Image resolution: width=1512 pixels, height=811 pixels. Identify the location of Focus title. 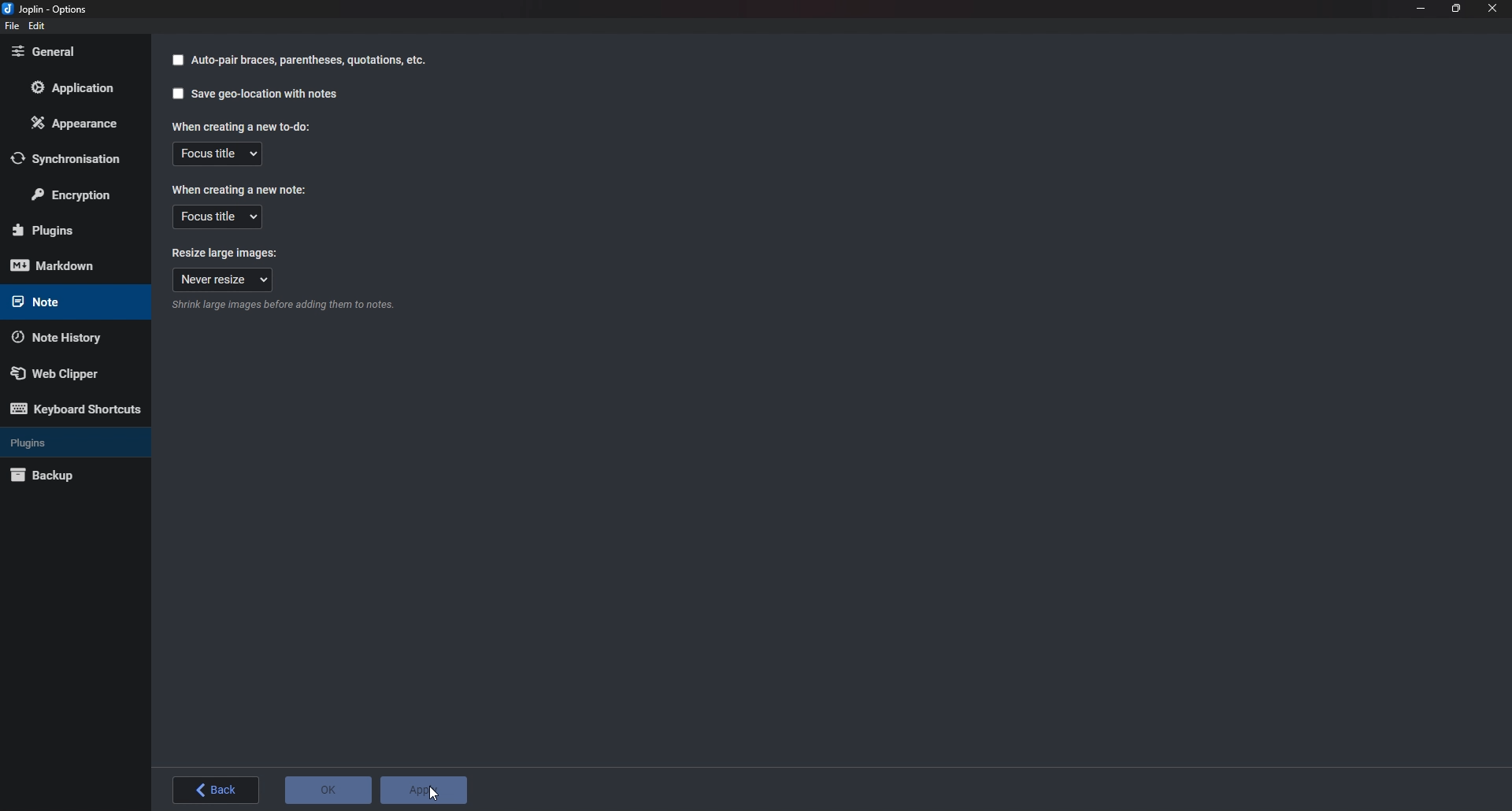
(216, 218).